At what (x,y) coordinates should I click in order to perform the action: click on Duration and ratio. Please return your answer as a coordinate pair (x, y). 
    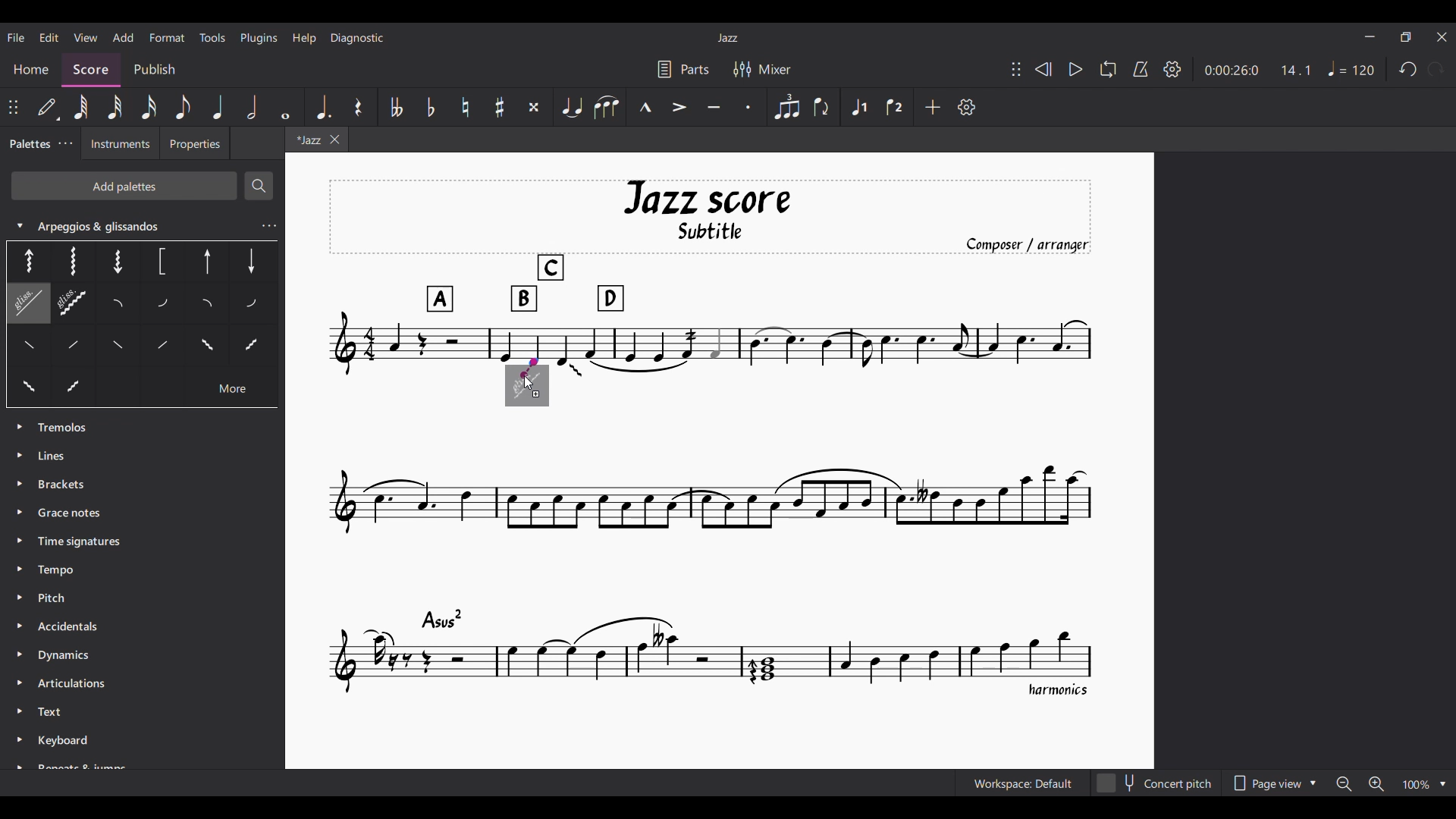
    Looking at the image, I should click on (1257, 71).